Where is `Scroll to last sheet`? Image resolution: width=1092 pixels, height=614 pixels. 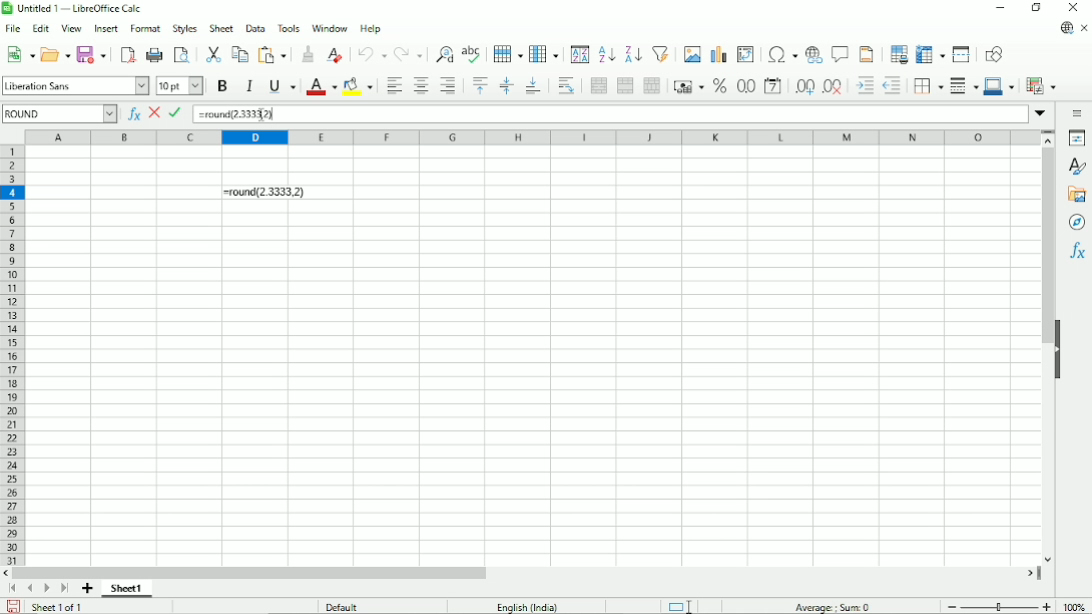
Scroll to last sheet is located at coordinates (65, 588).